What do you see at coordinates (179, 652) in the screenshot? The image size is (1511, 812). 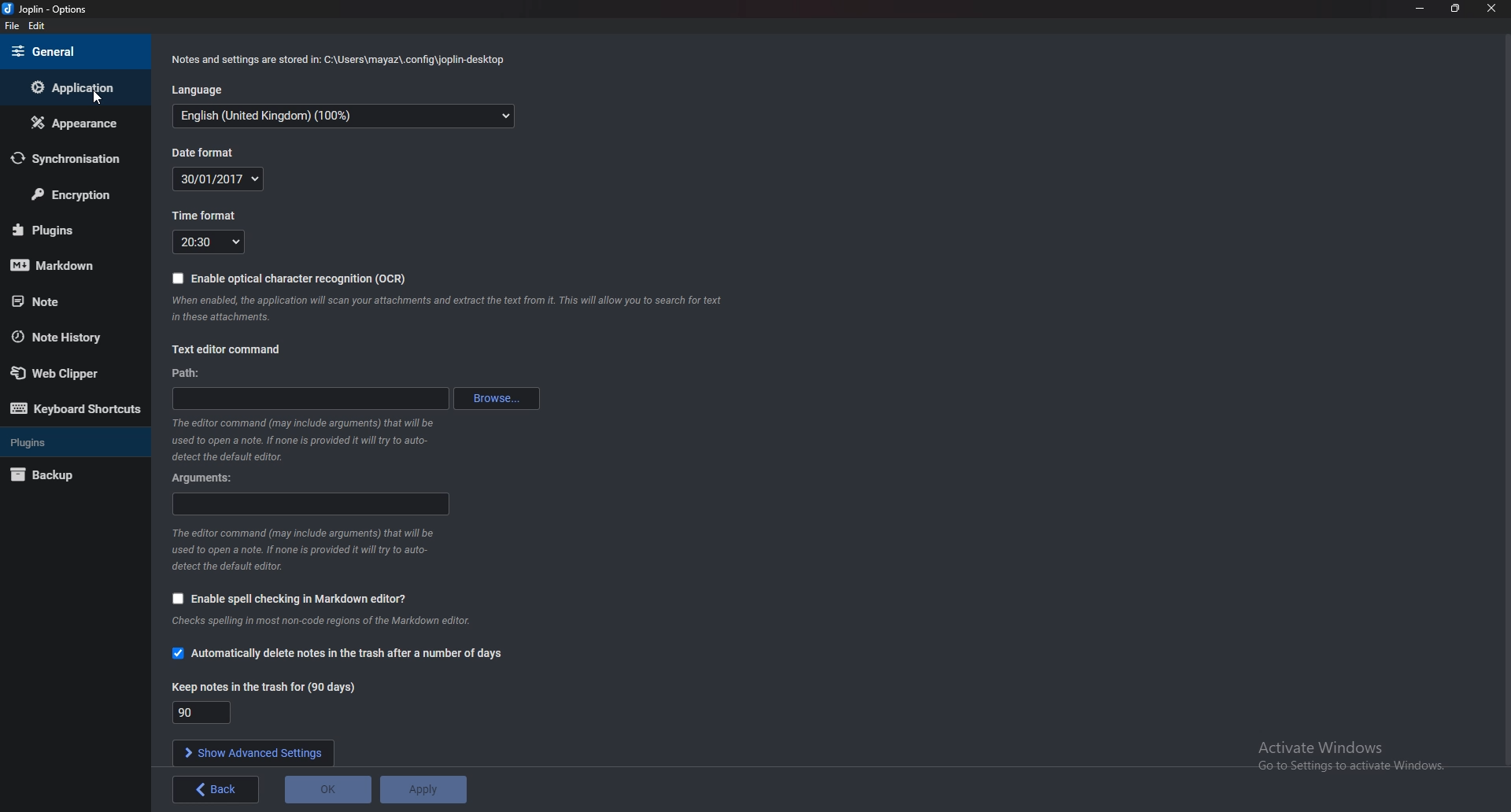 I see `checkbox` at bounding box center [179, 652].